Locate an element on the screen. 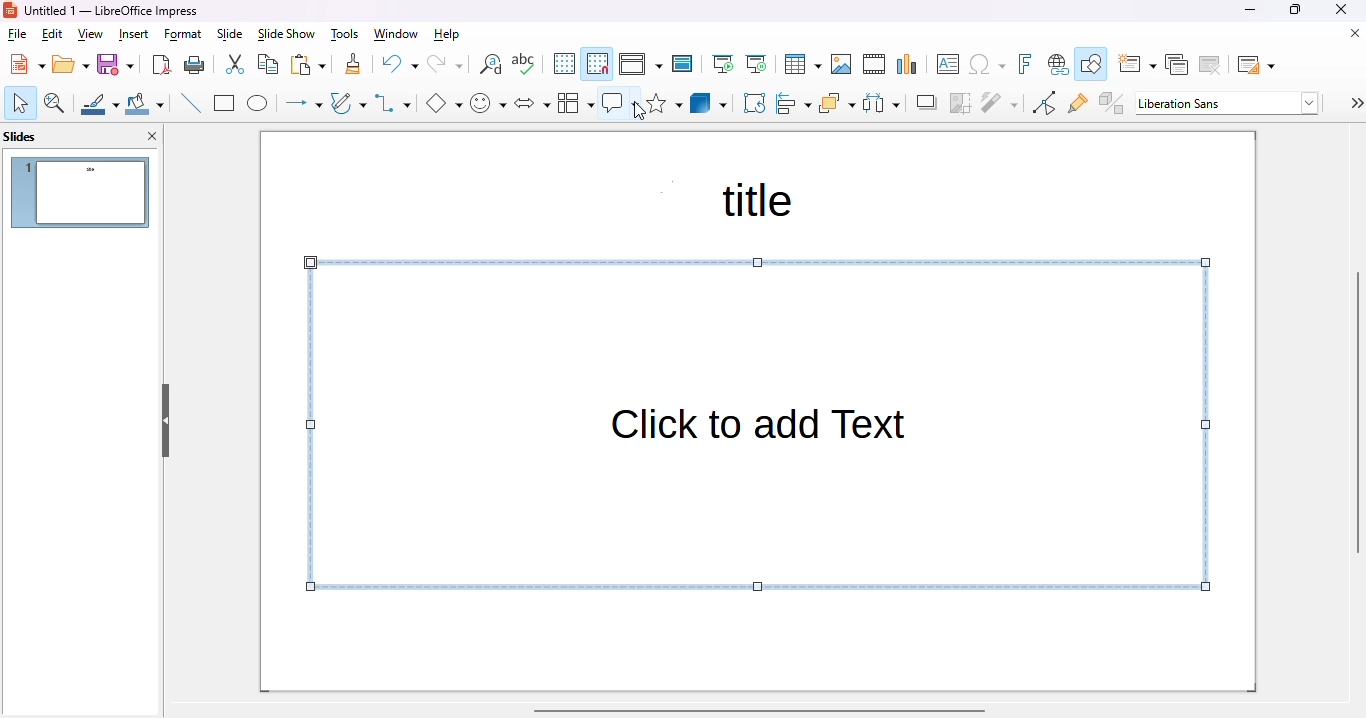 The height and width of the screenshot is (718, 1366). callout shapes is located at coordinates (614, 102).